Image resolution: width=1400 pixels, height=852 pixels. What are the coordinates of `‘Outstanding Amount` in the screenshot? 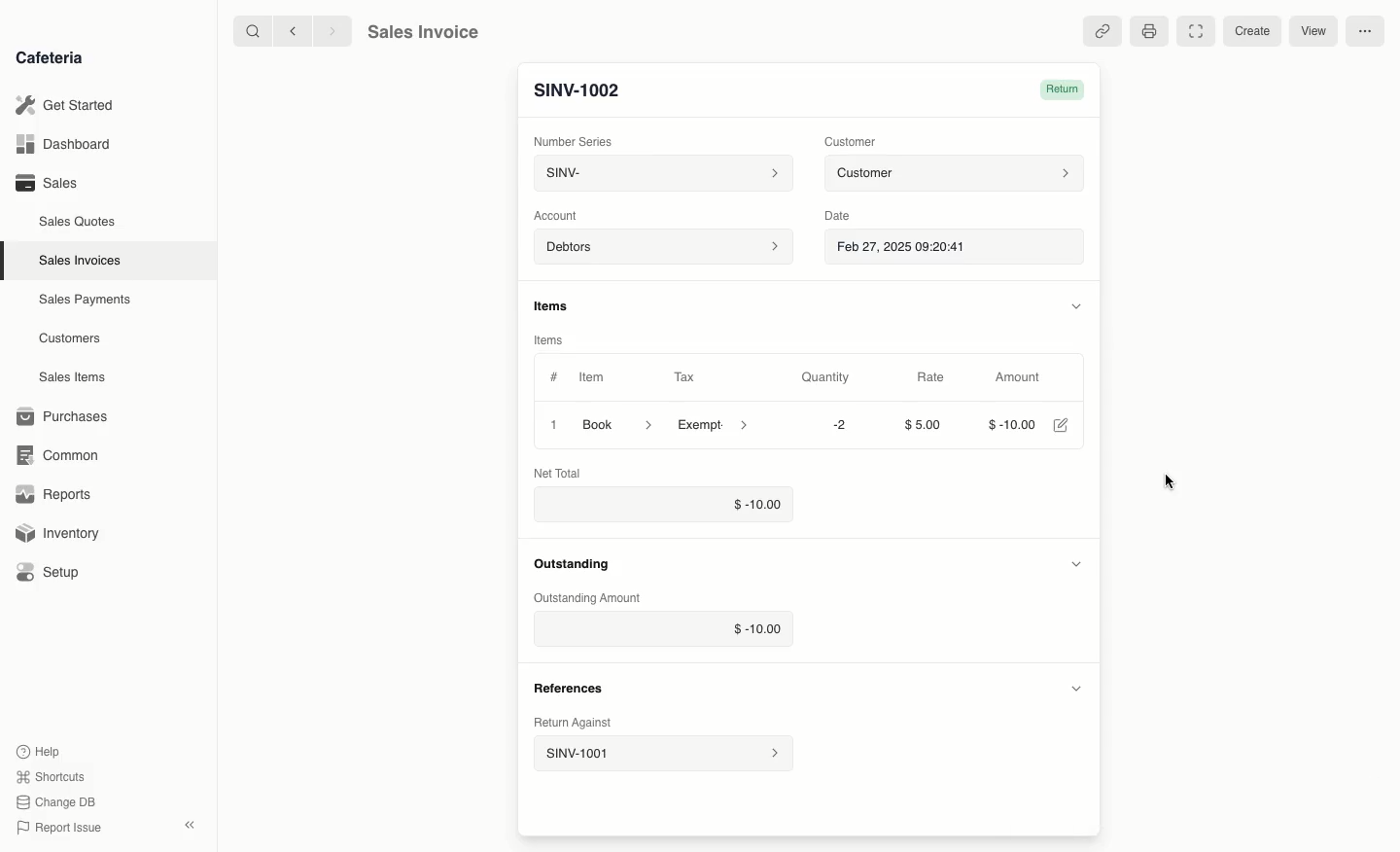 It's located at (591, 596).